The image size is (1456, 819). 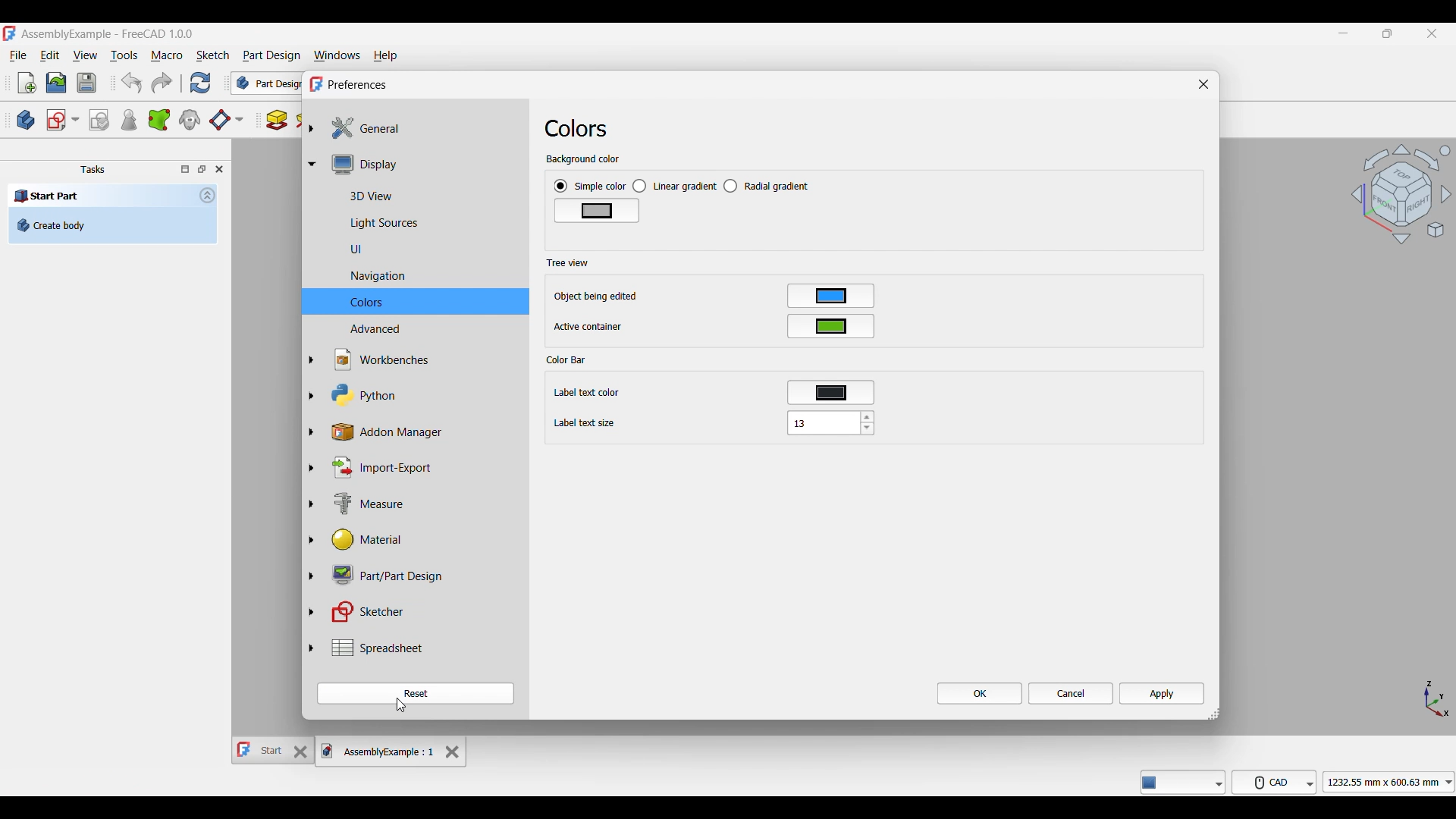 I want to click on Edit menu, so click(x=50, y=55).